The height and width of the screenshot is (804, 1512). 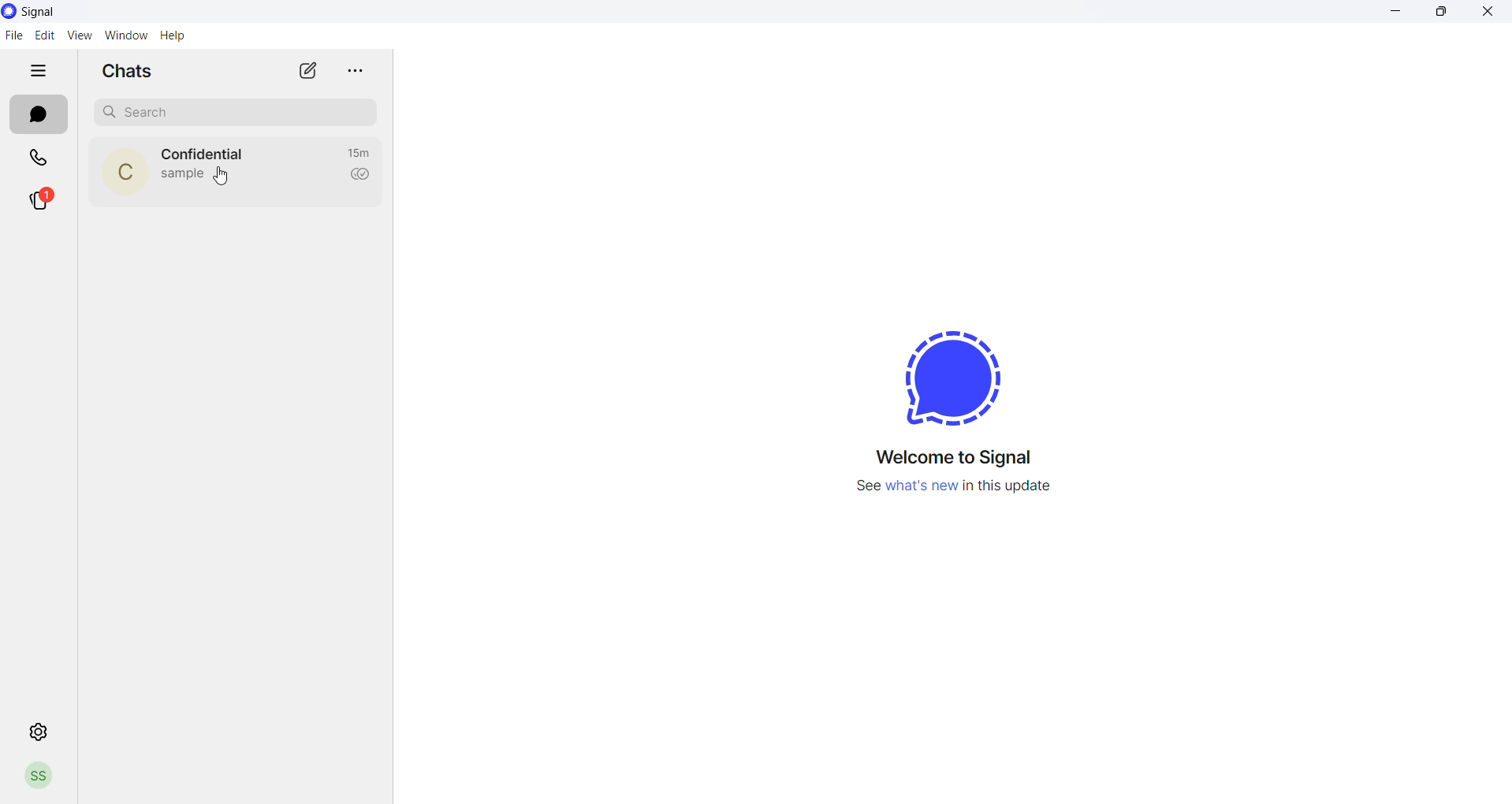 What do you see at coordinates (229, 109) in the screenshot?
I see `search ` at bounding box center [229, 109].